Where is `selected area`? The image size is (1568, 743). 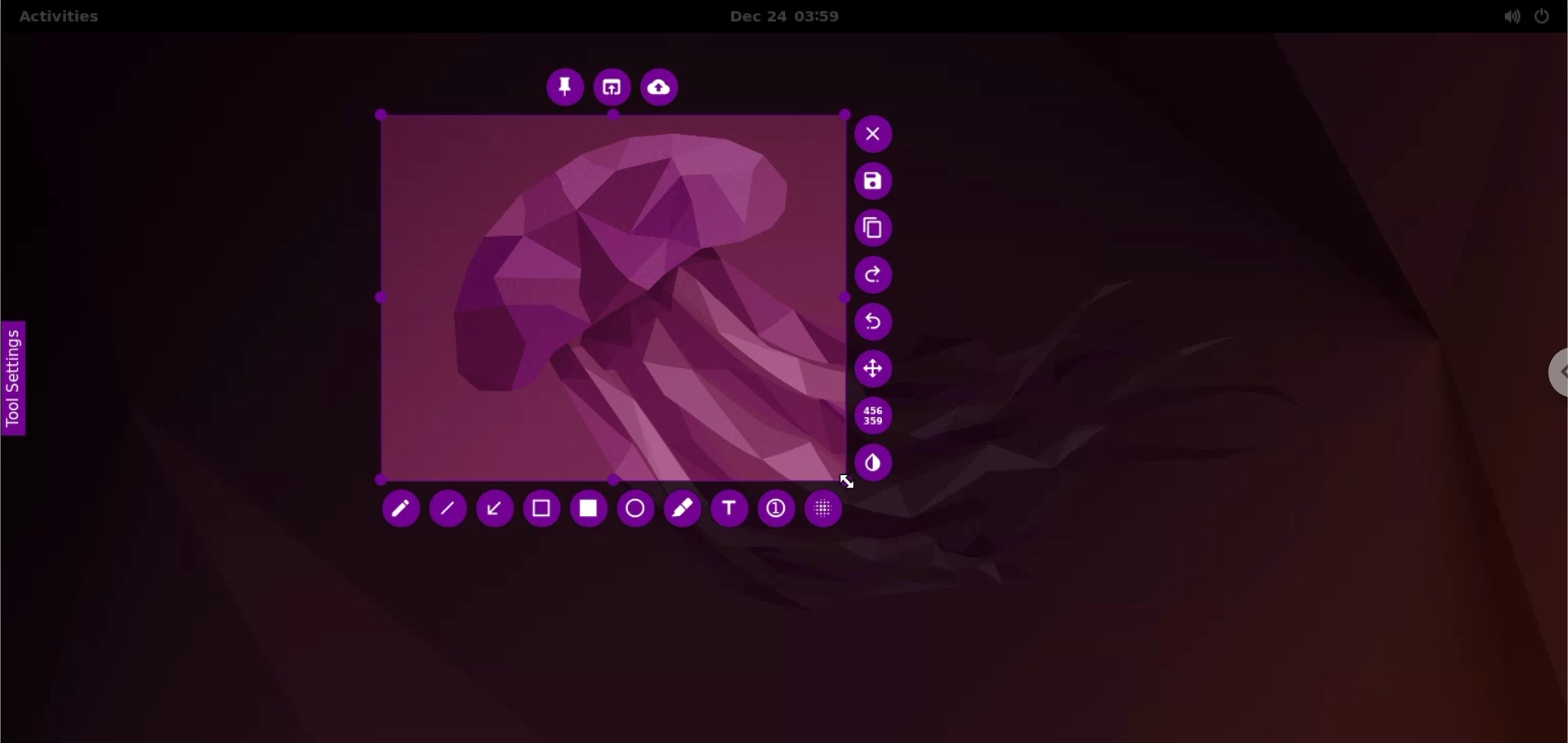 selected area is located at coordinates (615, 300).